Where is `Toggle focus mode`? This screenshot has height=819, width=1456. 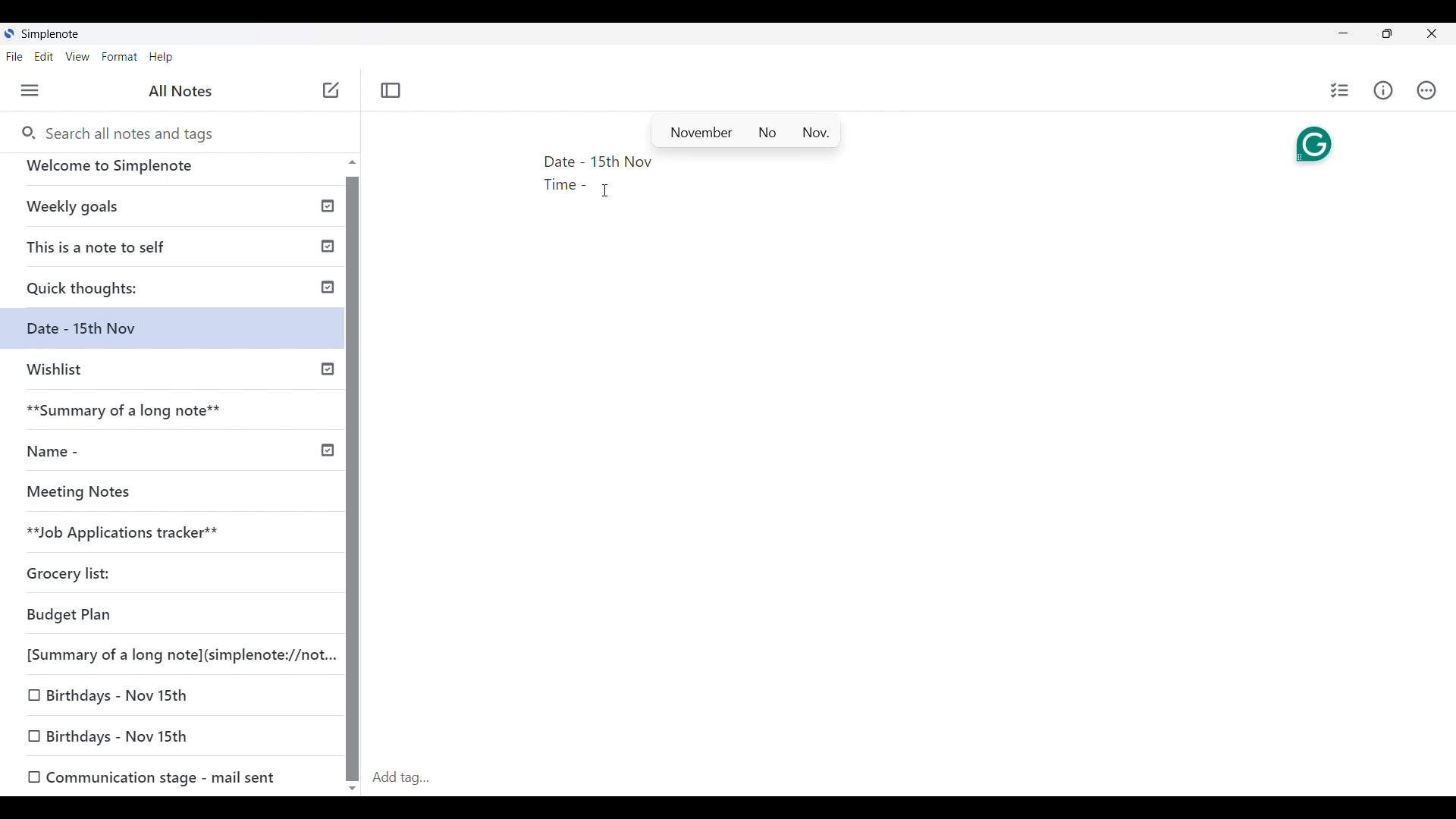 Toggle focus mode is located at coordinates (391, 91).